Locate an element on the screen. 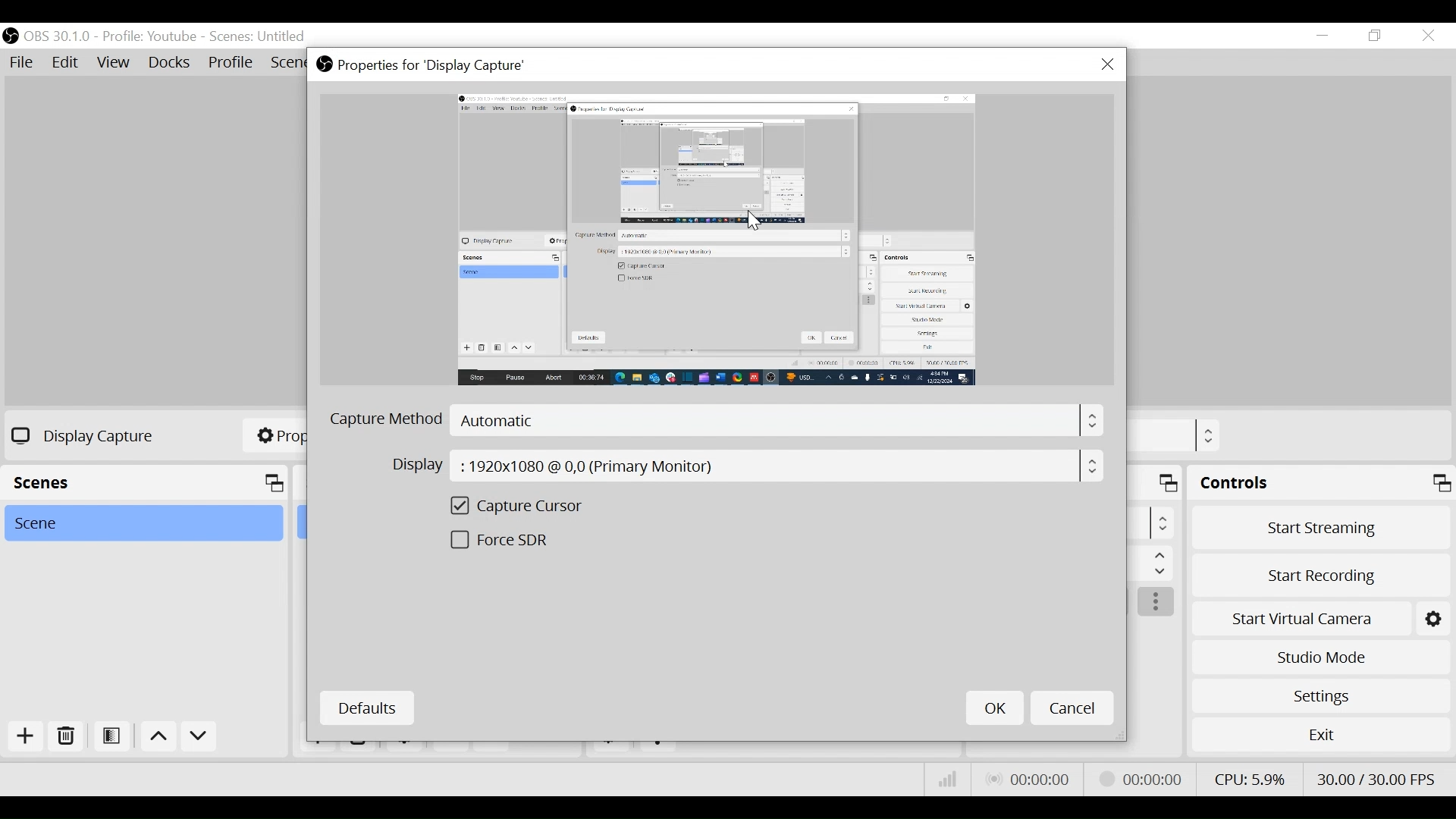  Scenes is located at coordinates (259, 37).